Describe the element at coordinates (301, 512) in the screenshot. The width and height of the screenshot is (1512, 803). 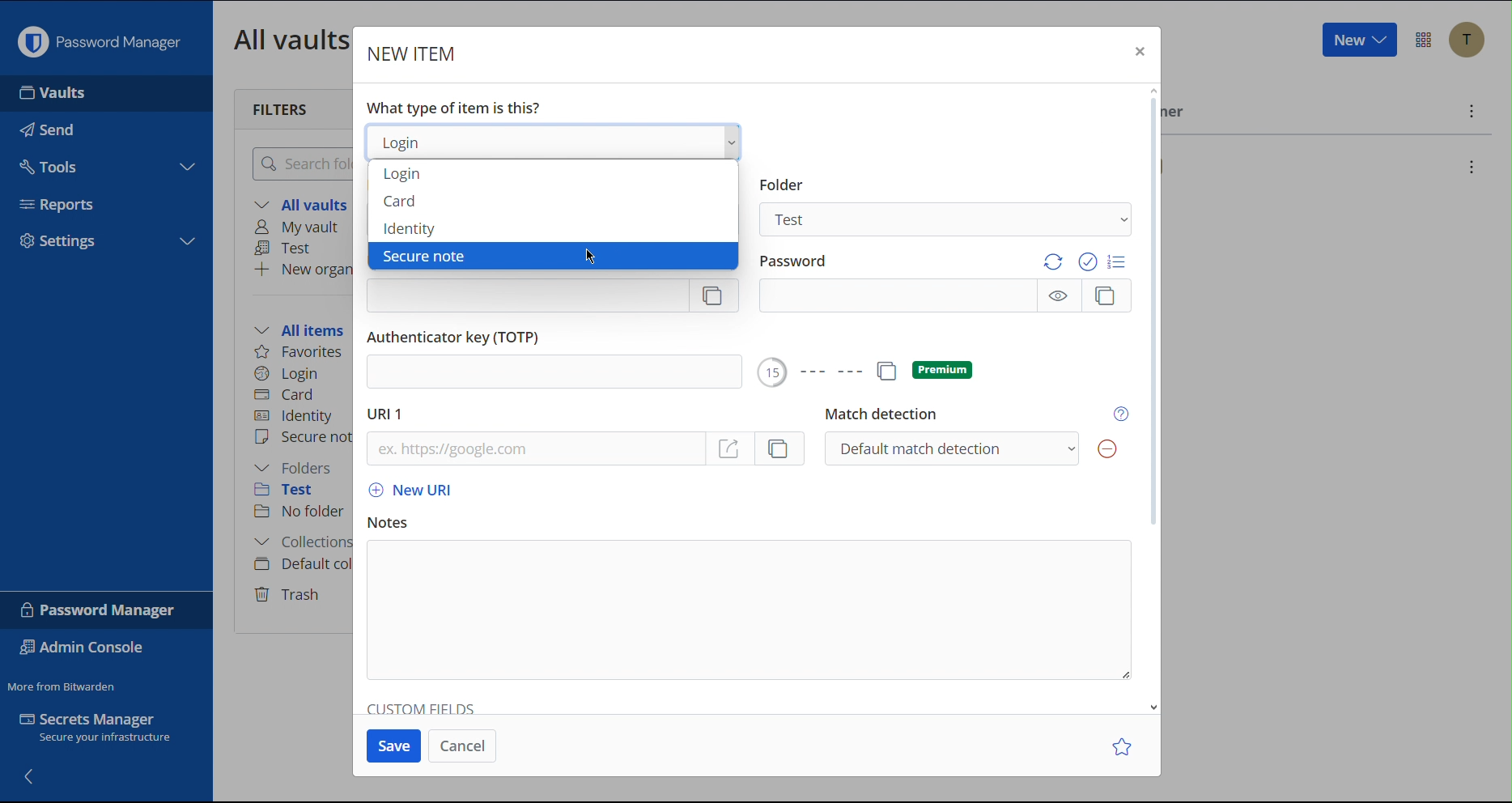
I see `No folder` at that location.